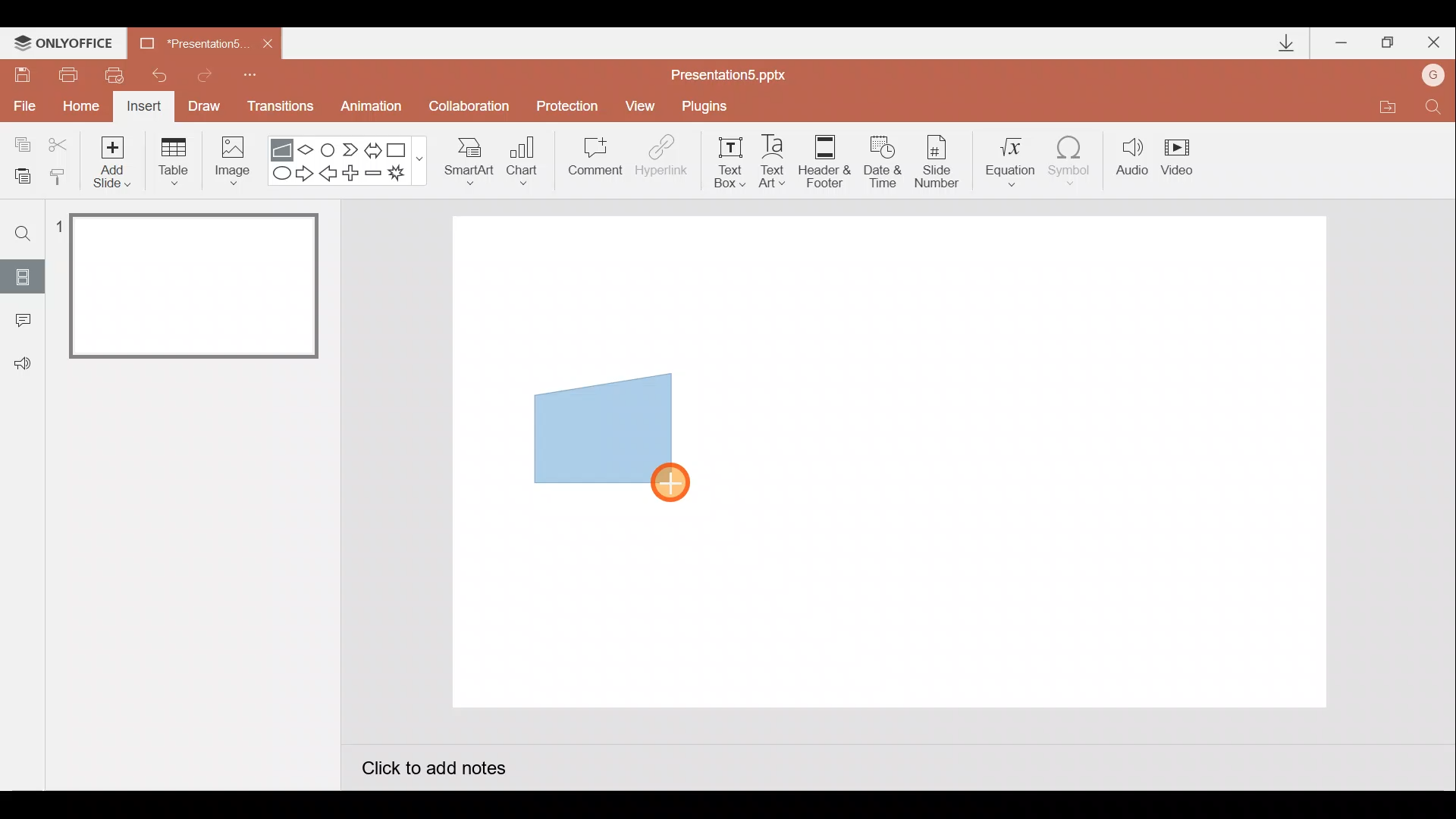 This screenshot has width=1456, height=819. Describe the element at coordinates (400, 149) in the screenshot. I see `Rectangle` at that location.